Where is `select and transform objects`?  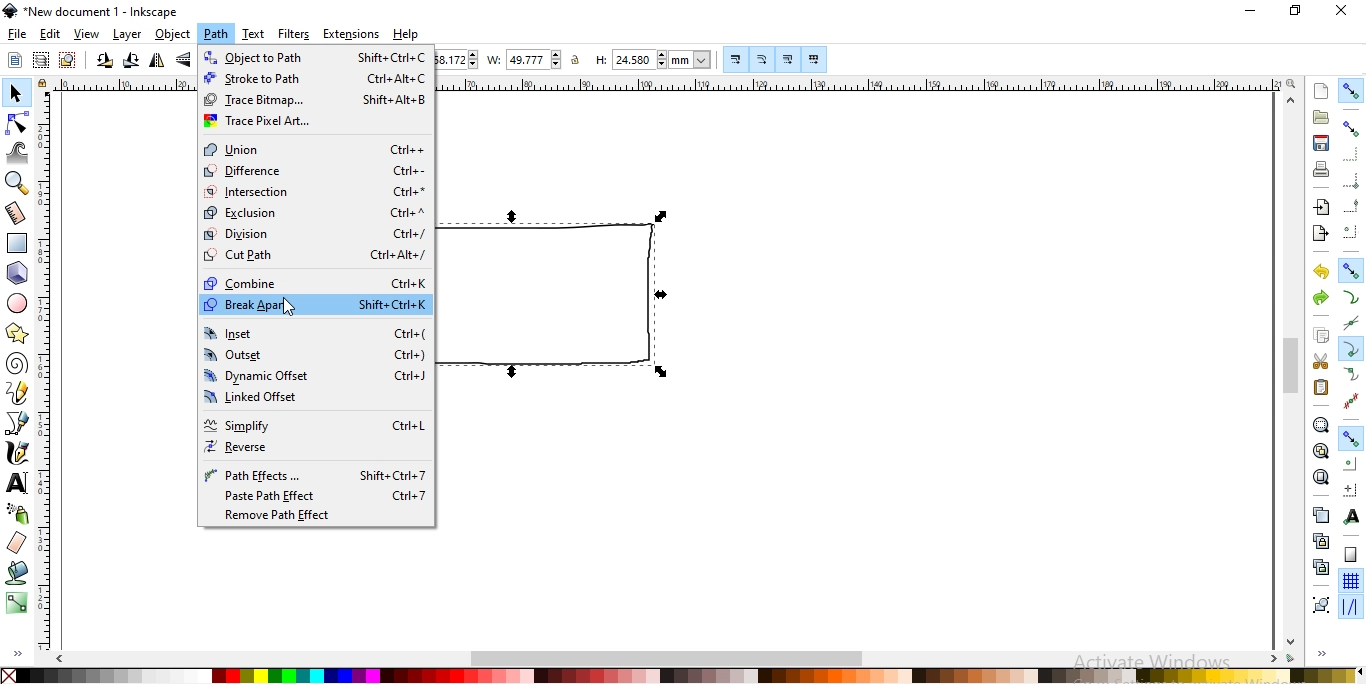
select and transform objects is located at coordinates (17, 93).